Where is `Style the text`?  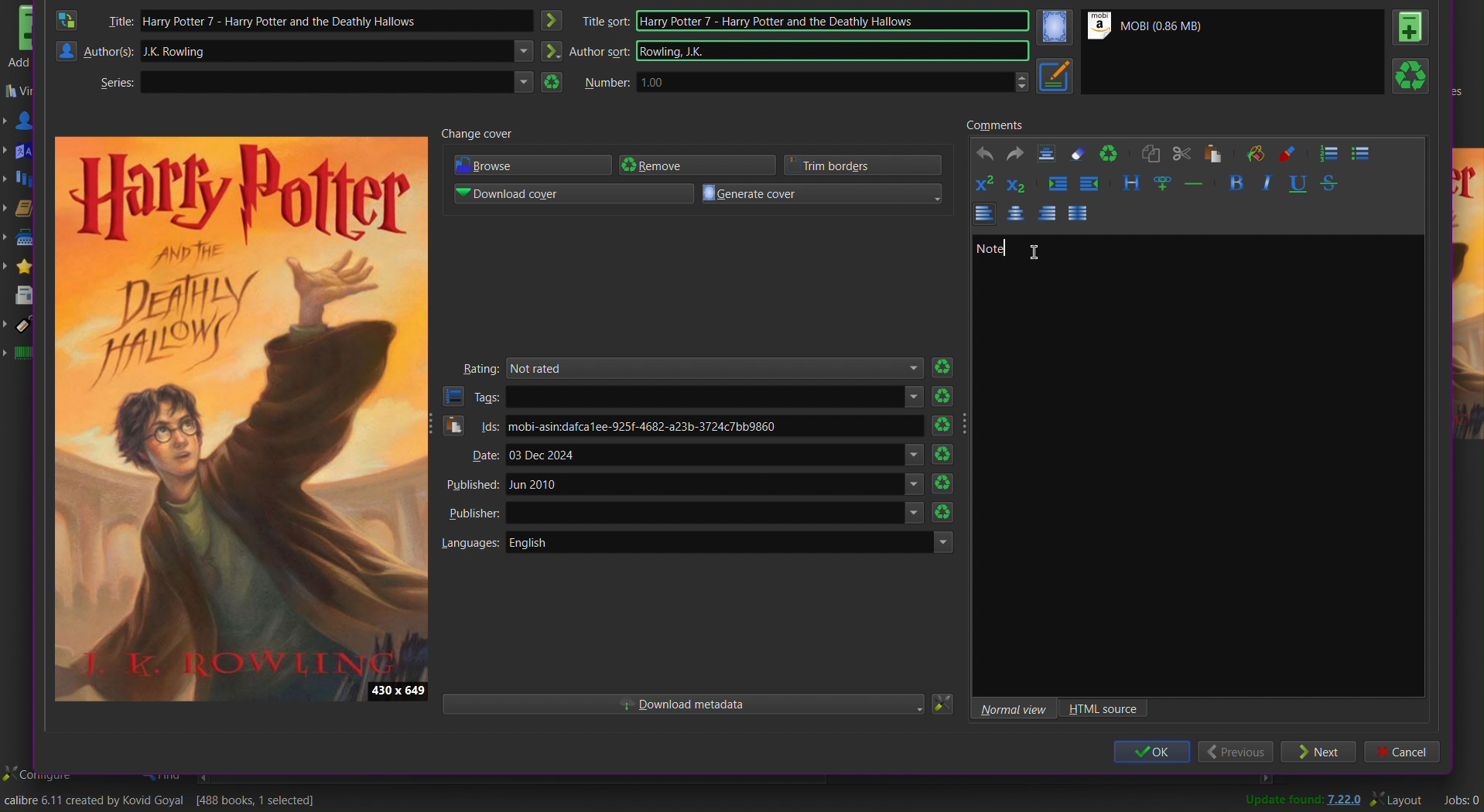
Style the text is located at coordinates (1133, 183).